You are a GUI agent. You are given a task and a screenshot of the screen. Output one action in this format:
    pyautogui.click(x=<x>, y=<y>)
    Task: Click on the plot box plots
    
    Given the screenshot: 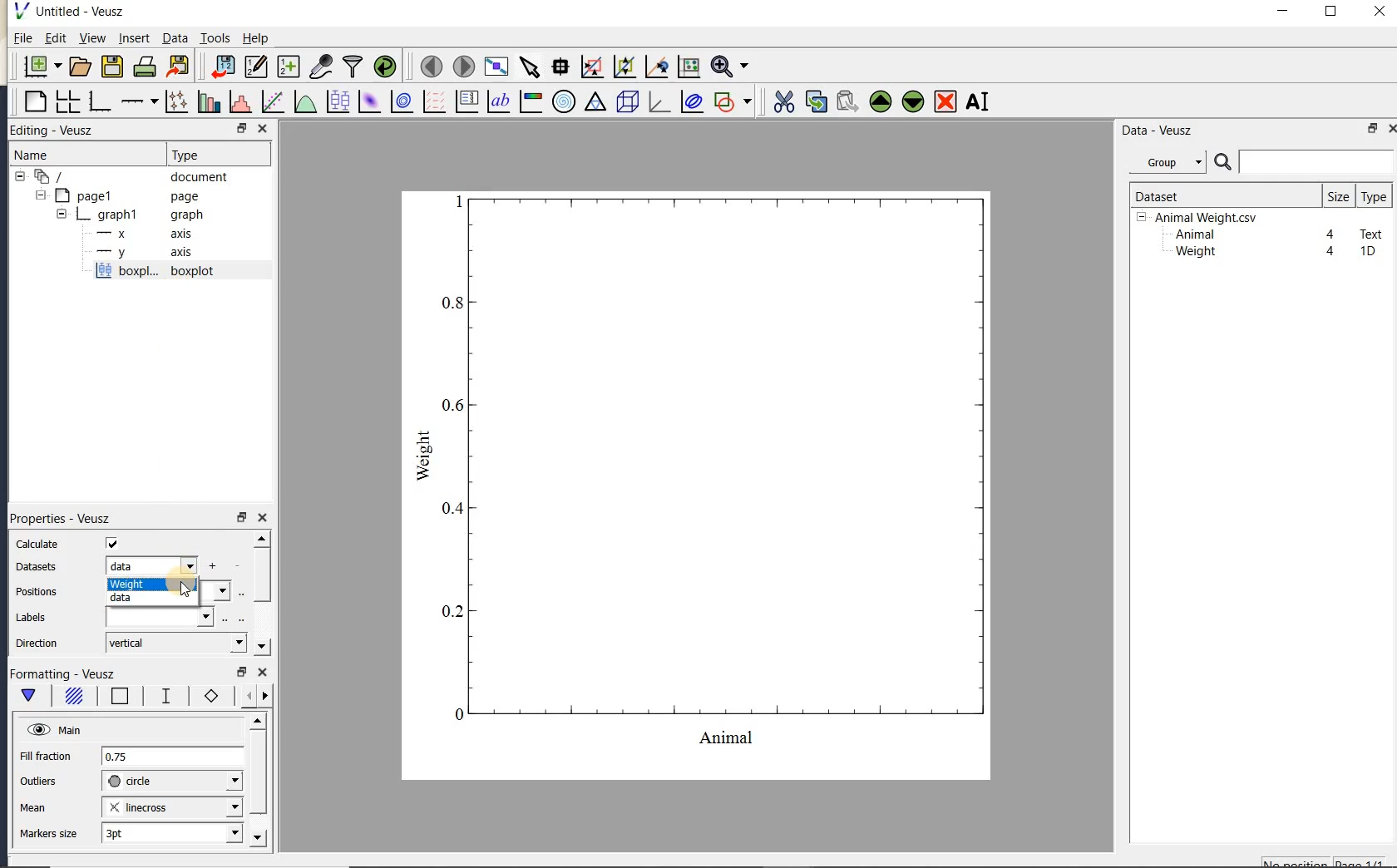 What is the action you would take?
    pyautogui.click(x=335, y=102)
    